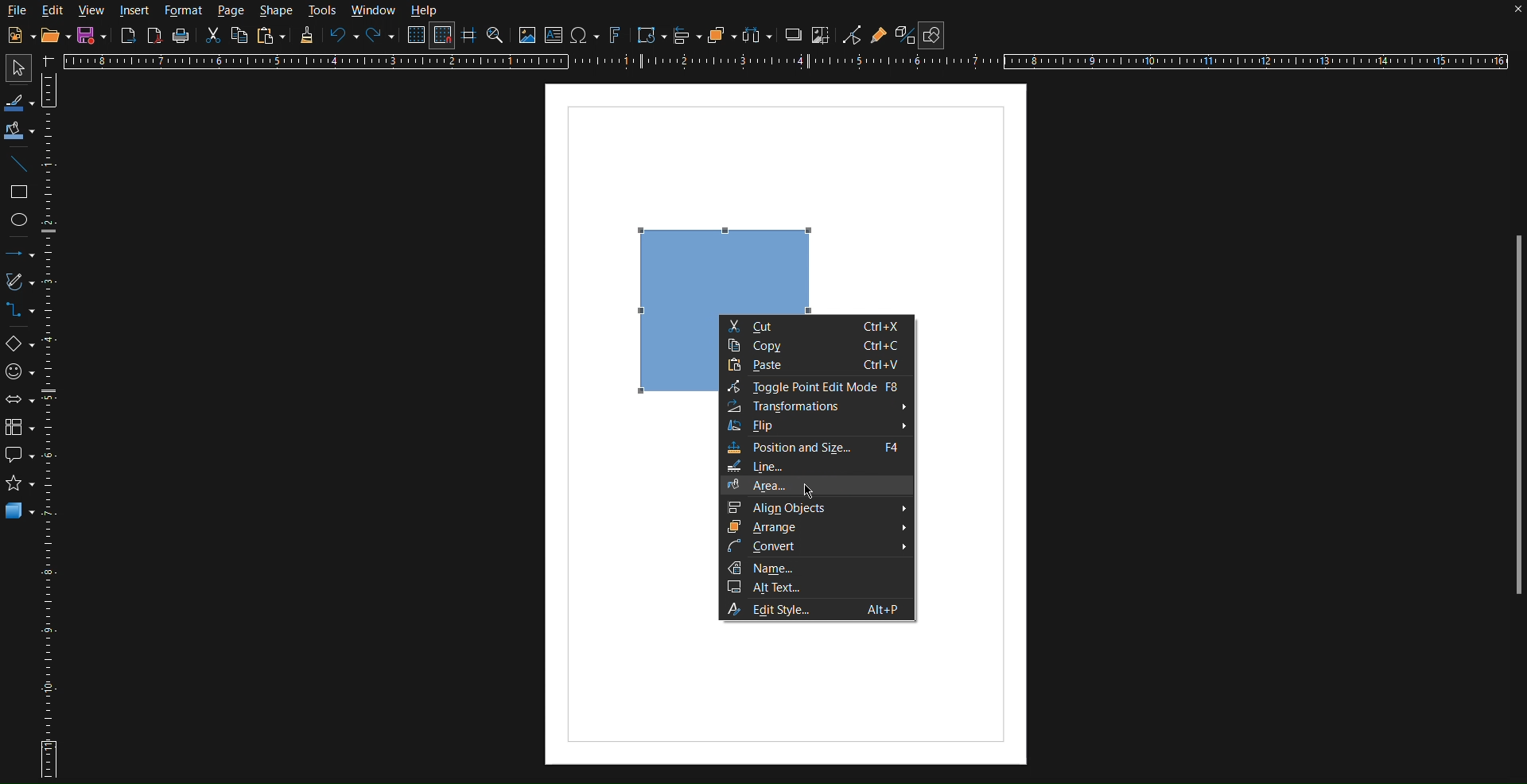  What do you see at coordinates (278, 11) in the screenshot?
I see `Shape` at bounding box center [278, 11].